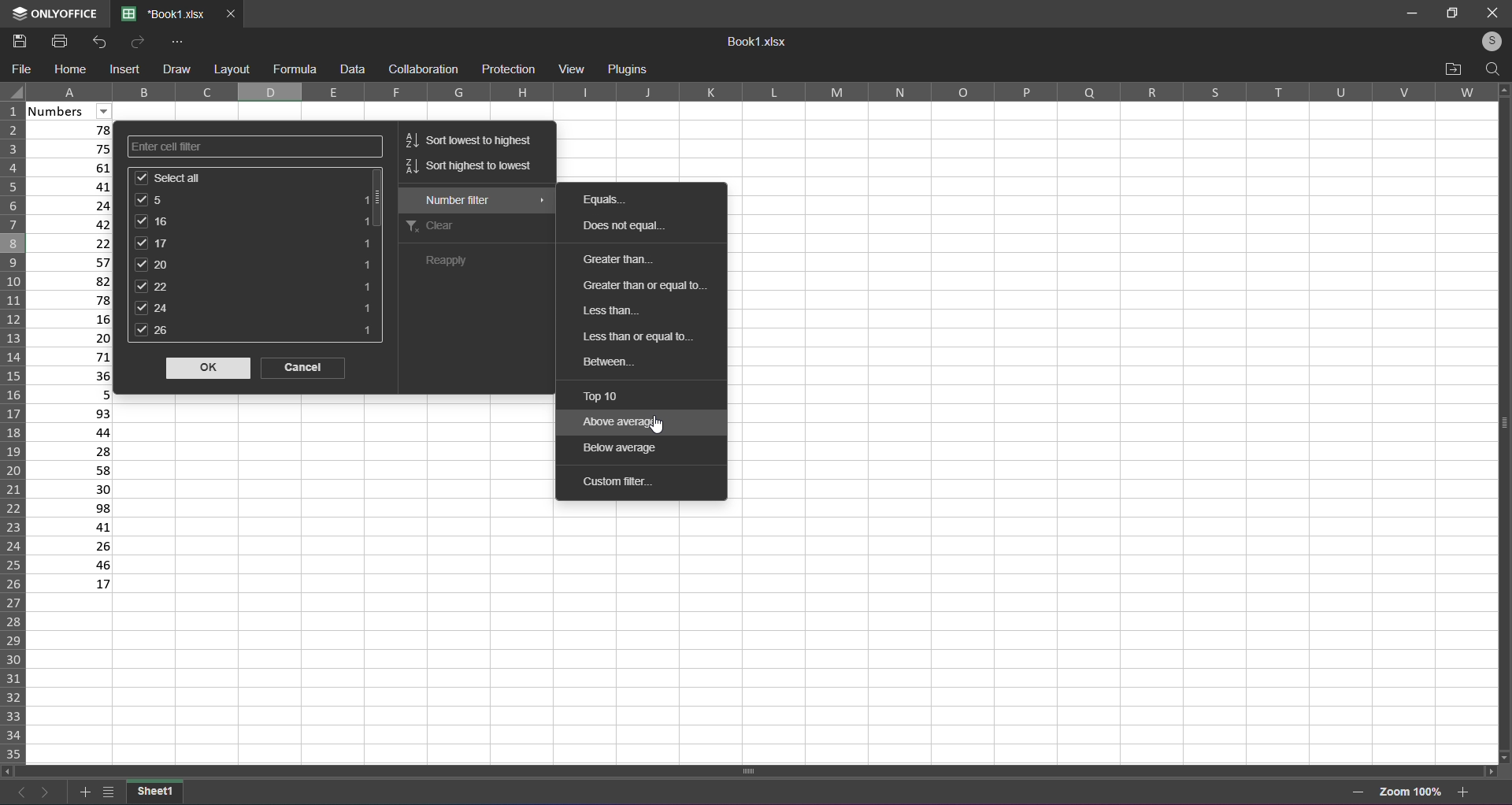  What do you see at coordinates (476, 200) in the screenshot?
I see `number filters` at bounding box center [476, 200].